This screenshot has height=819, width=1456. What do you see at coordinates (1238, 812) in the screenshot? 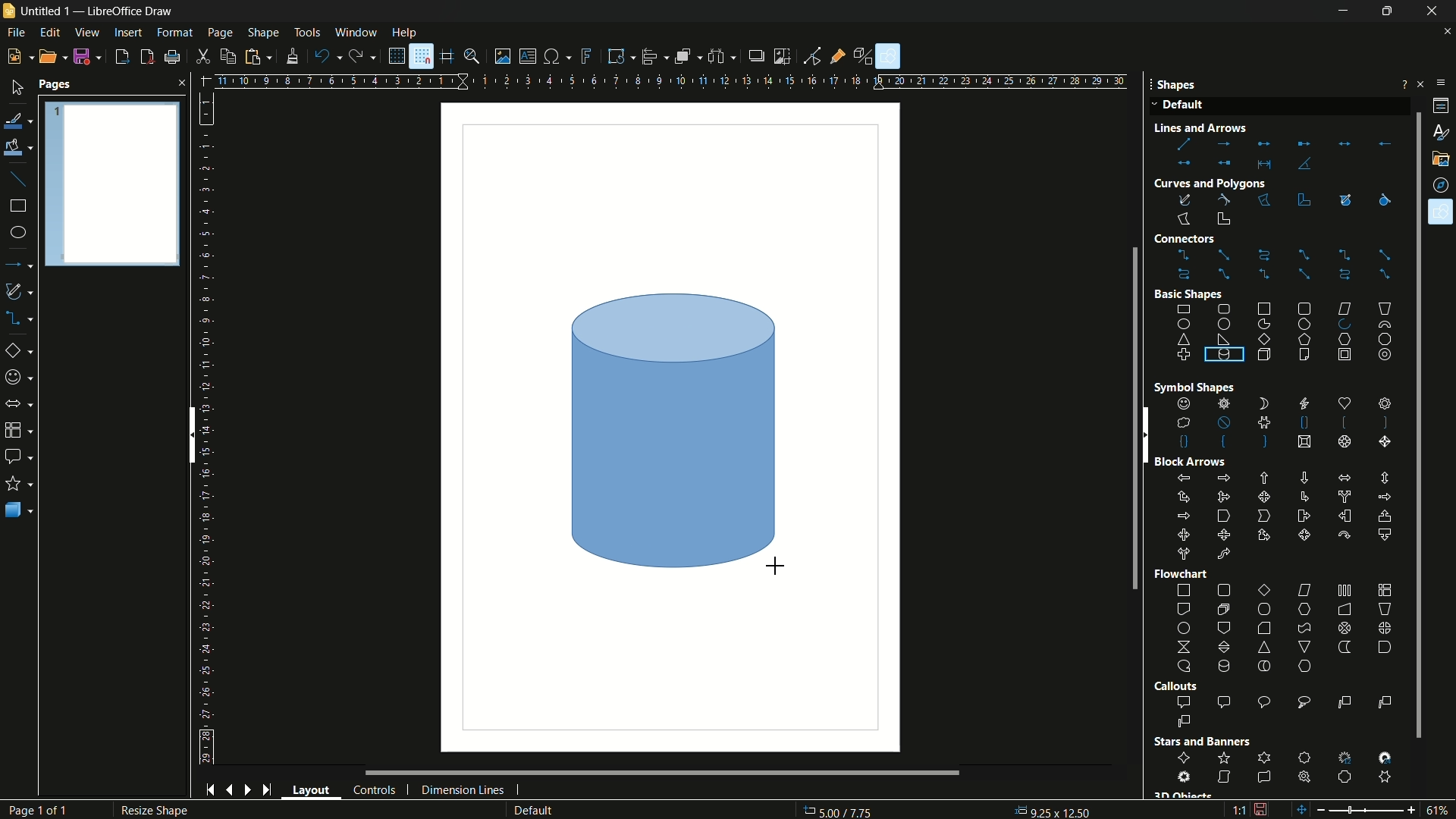
I see `scaling factor` at bounding box center [1238, 812].